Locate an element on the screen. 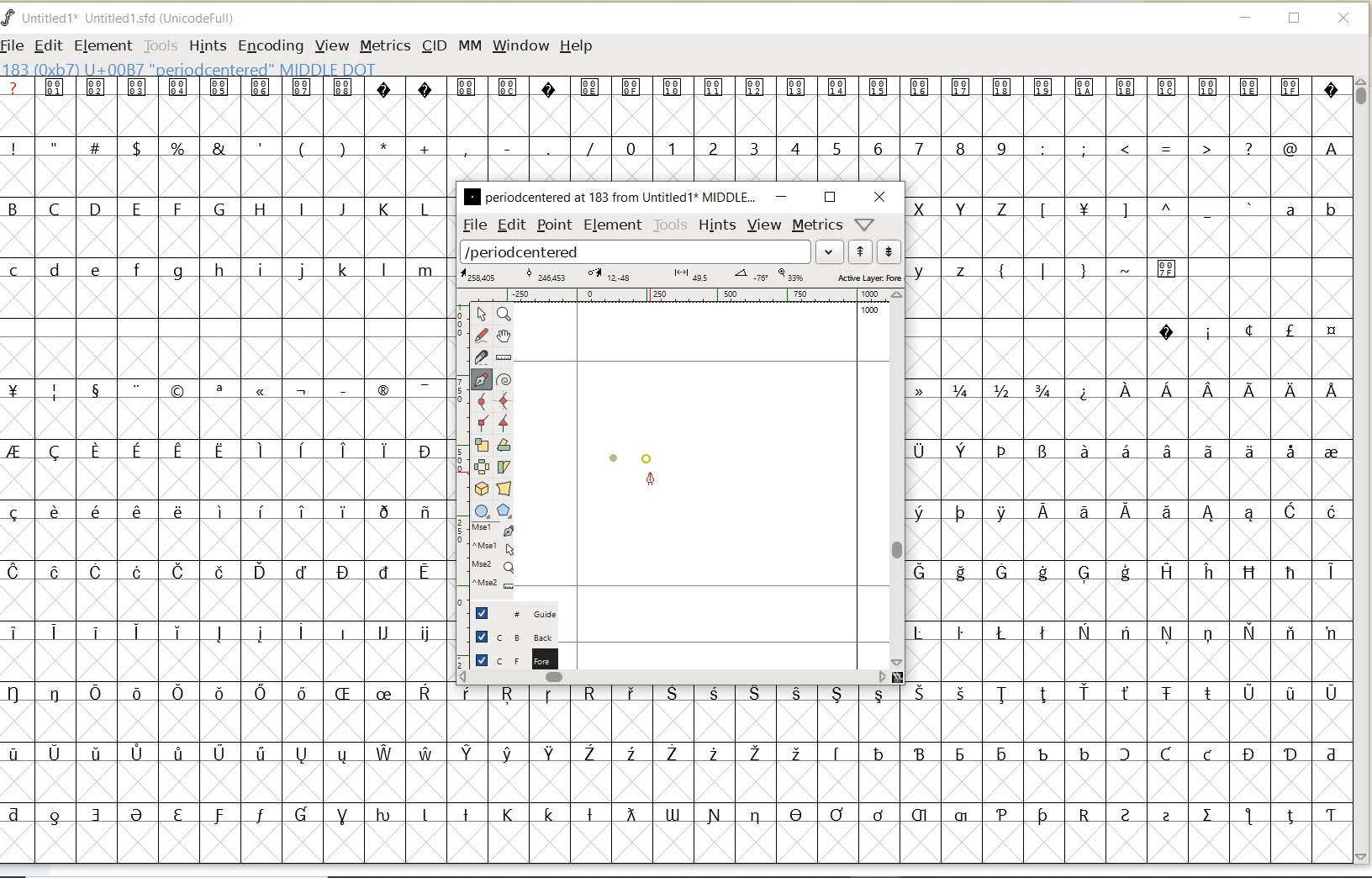  tools is located at coordinates (670, 225).